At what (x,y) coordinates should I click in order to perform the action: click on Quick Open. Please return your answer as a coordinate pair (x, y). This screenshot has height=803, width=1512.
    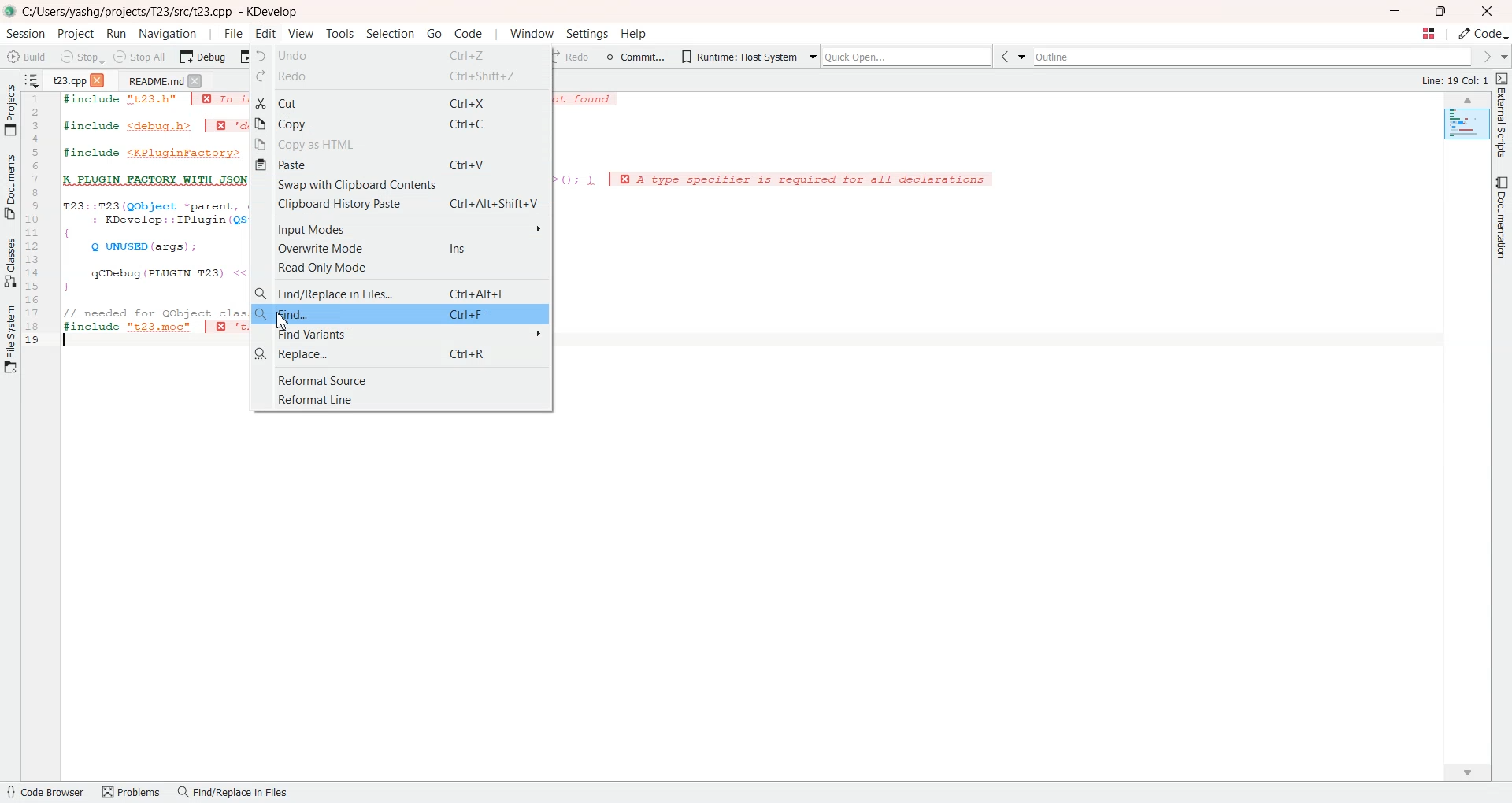
    Looking at the image, I should click on (1428, 34).